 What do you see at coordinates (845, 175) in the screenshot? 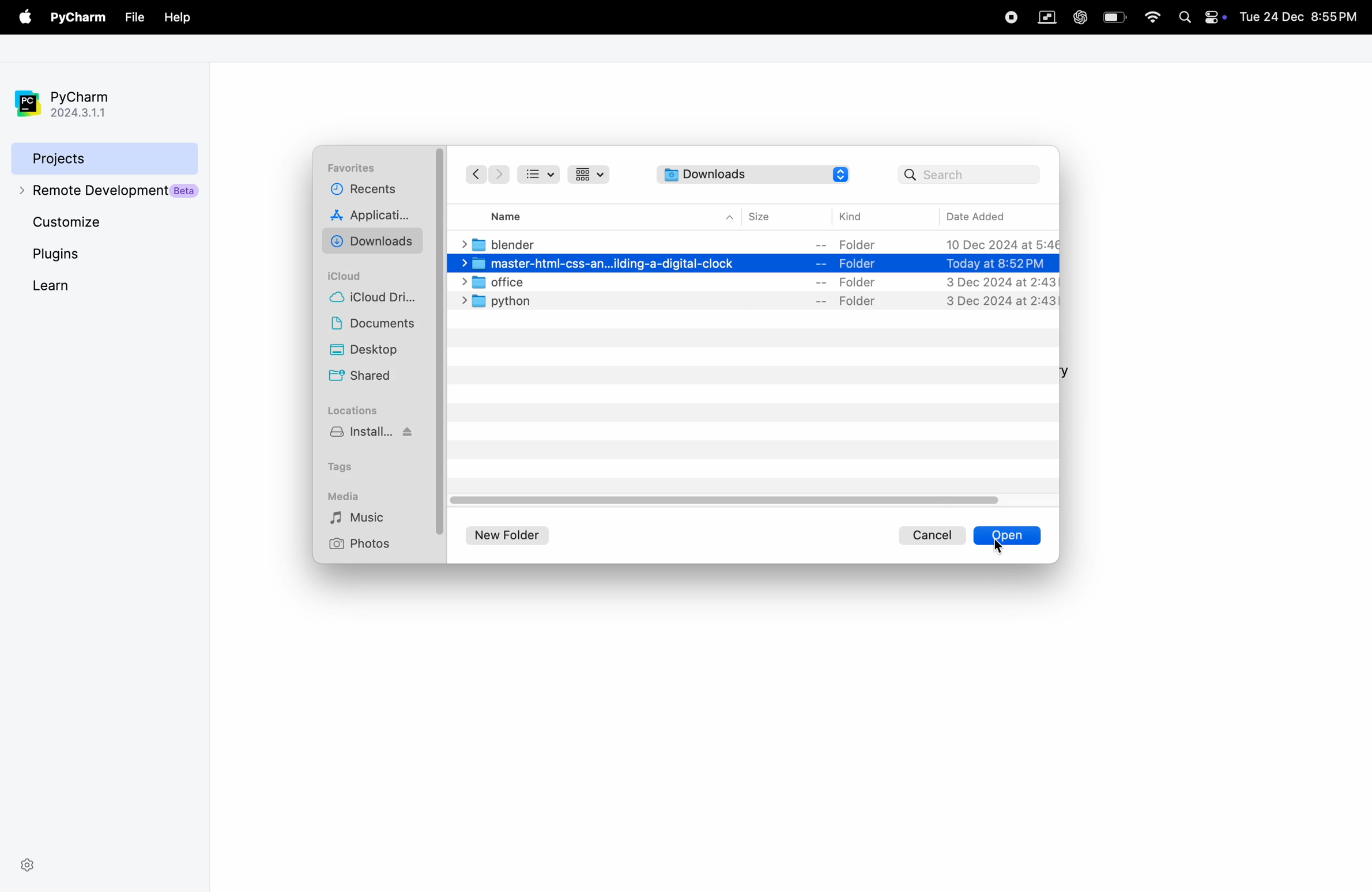
I see `logo` at bounding box center [845, 175].